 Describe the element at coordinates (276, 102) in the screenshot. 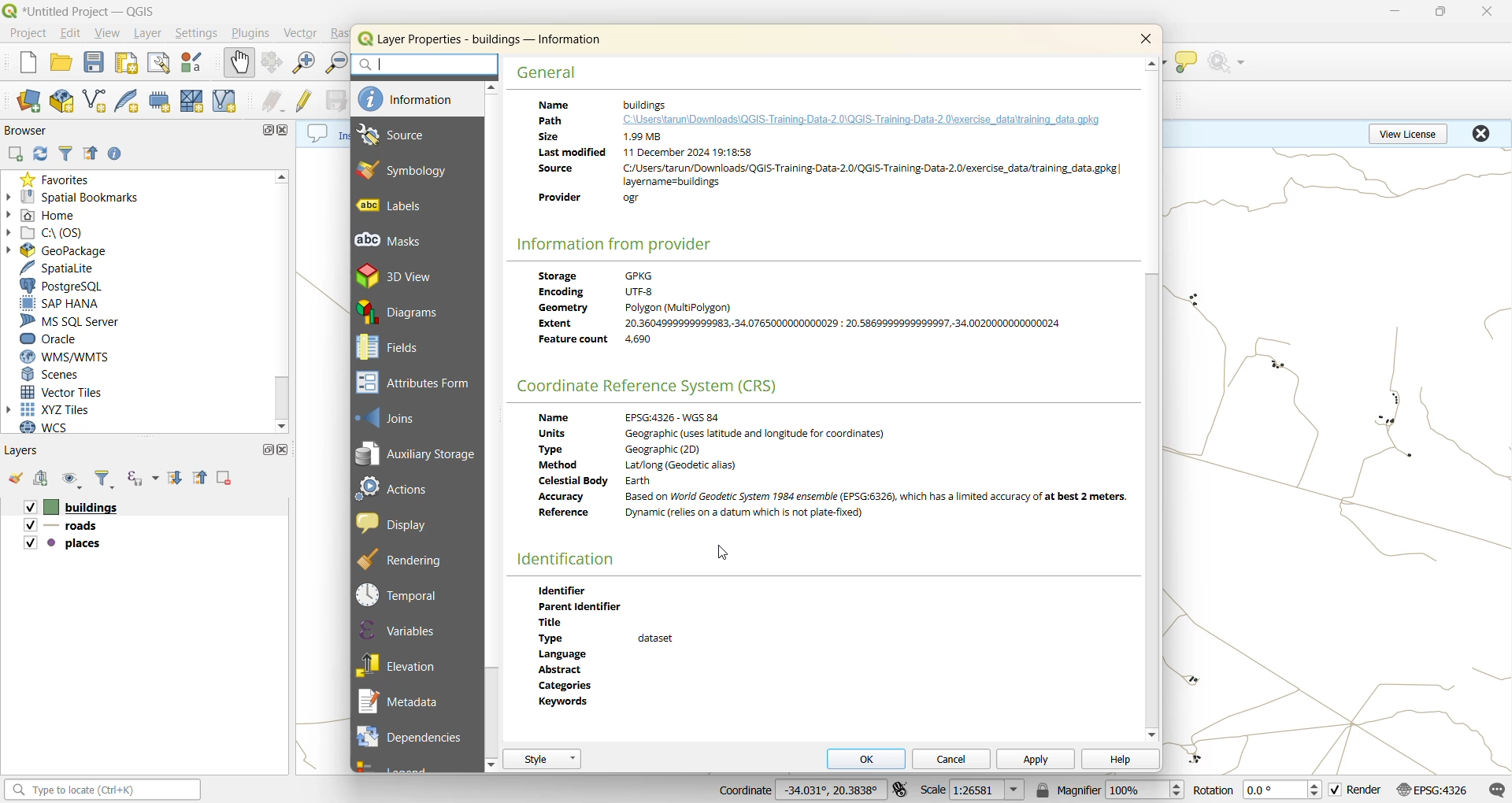

I see `edits` at that location.